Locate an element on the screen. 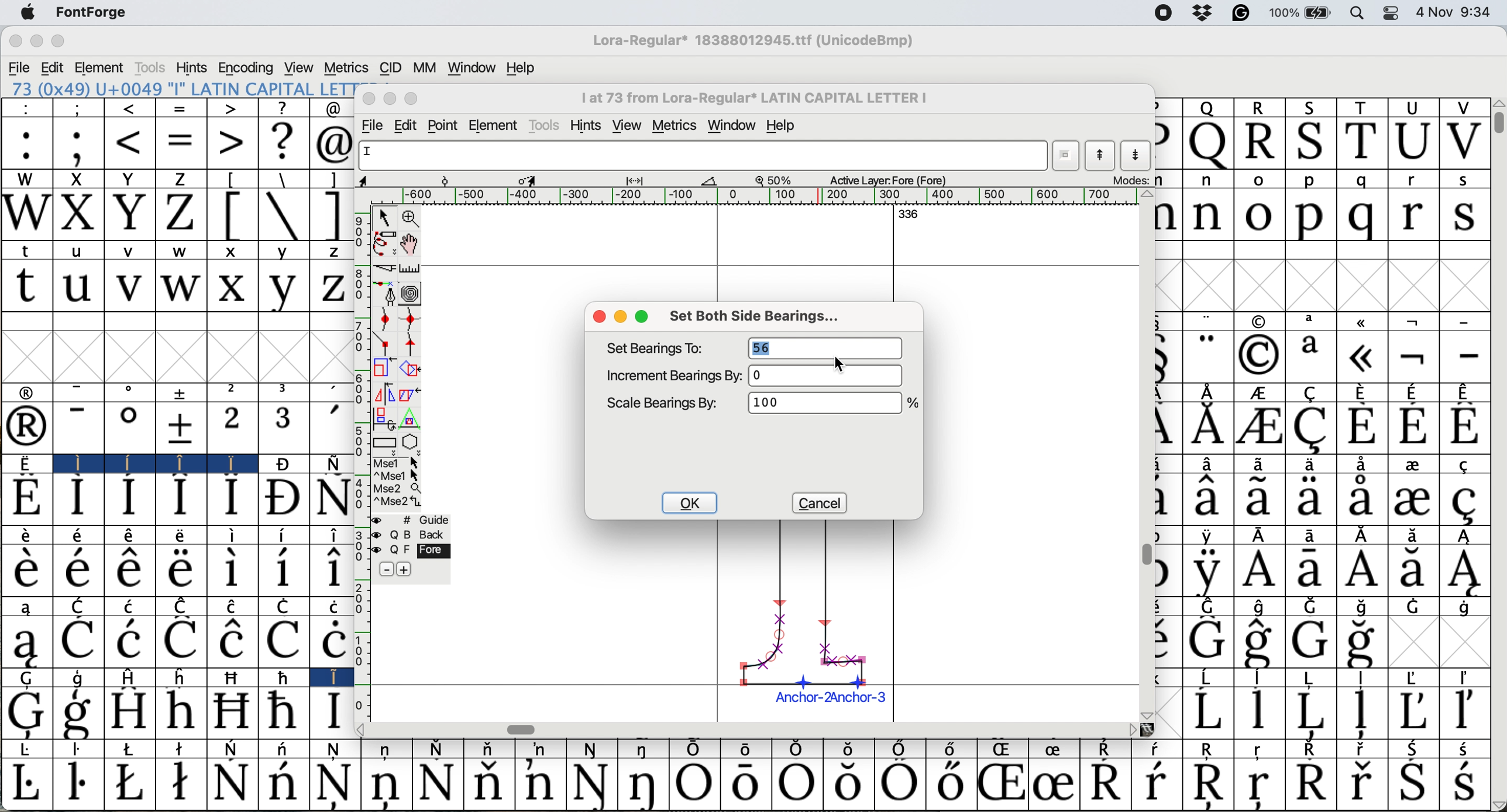 The height and width of the screenshot is (812, 1507). Symbol is located at coordinates (1315, 535).